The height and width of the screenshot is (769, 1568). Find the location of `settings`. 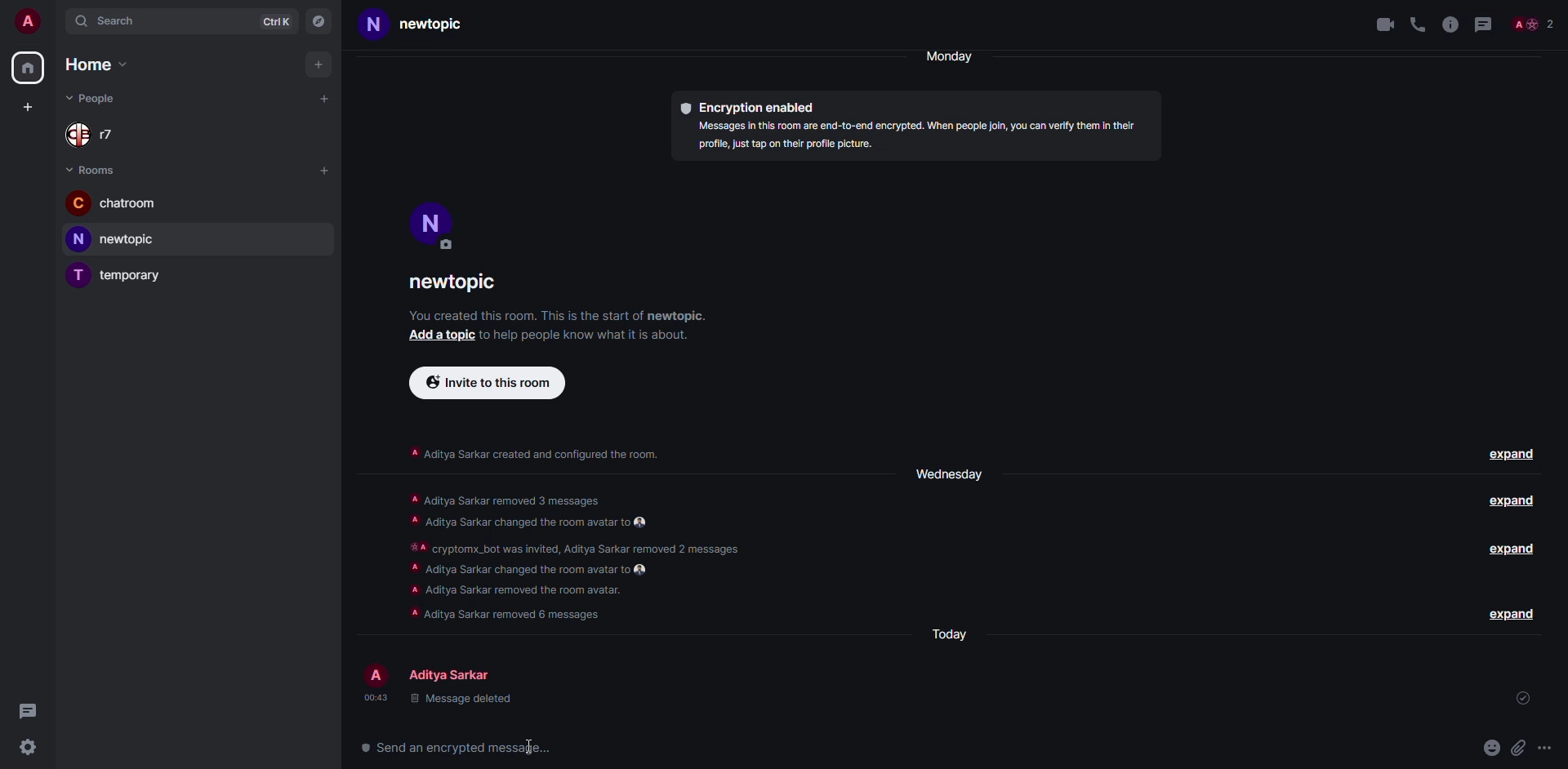

settings is located at coordinates (27, 749).